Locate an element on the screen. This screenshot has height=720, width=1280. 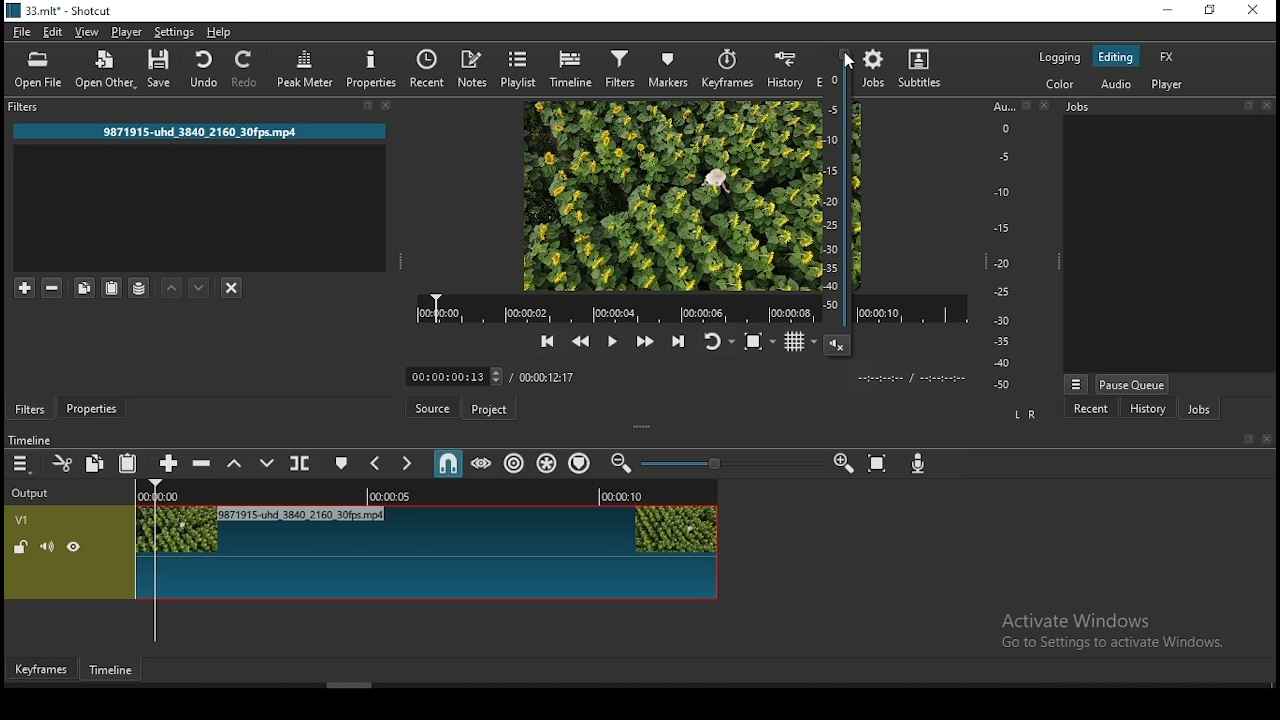
copy is located at coordinates (97, 464).